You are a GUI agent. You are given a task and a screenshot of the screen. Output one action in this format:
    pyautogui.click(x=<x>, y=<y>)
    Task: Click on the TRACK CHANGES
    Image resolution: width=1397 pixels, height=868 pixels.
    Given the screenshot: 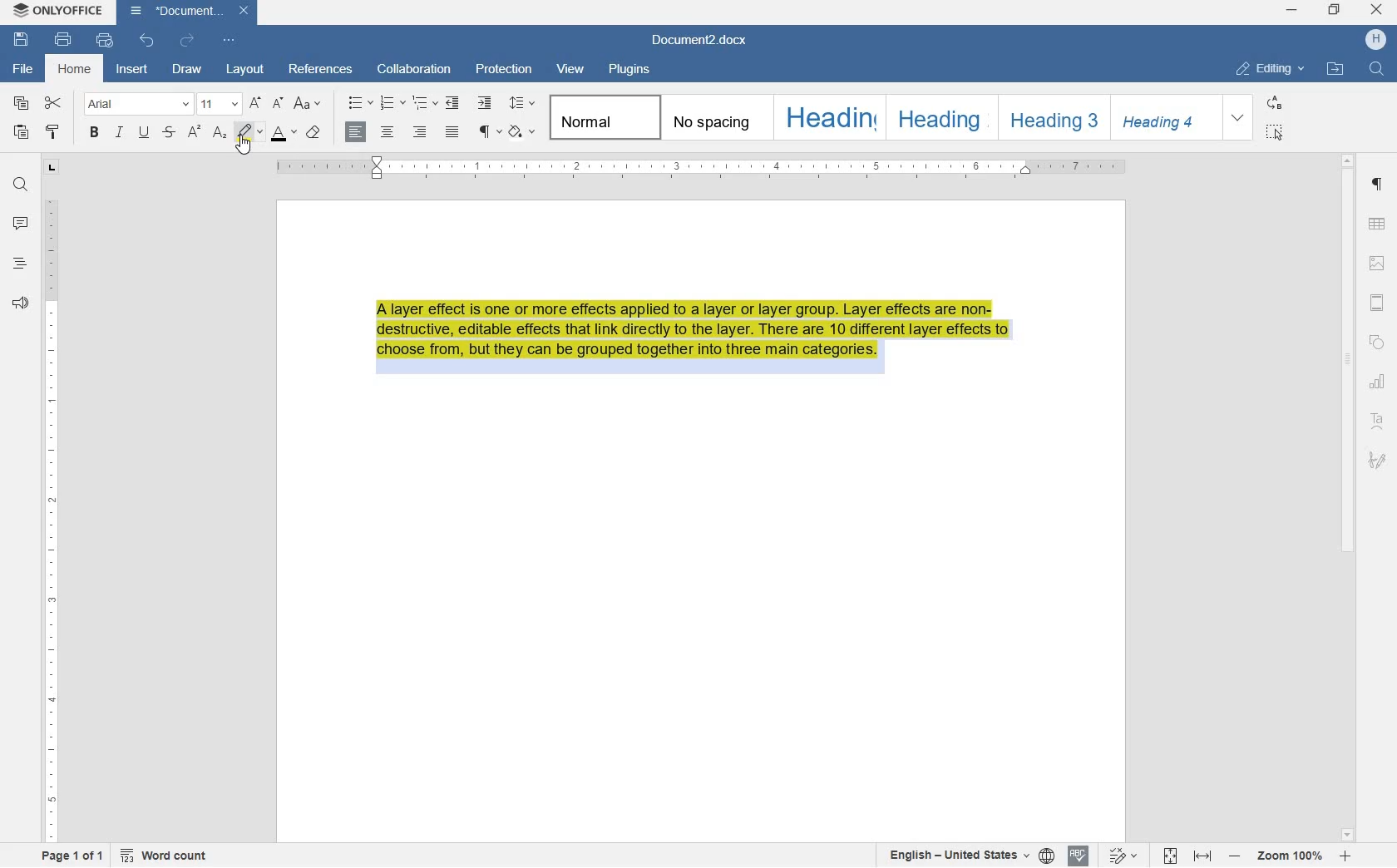 What is the action you would take?
    pyautogui.click(x=1125, y=856)
    